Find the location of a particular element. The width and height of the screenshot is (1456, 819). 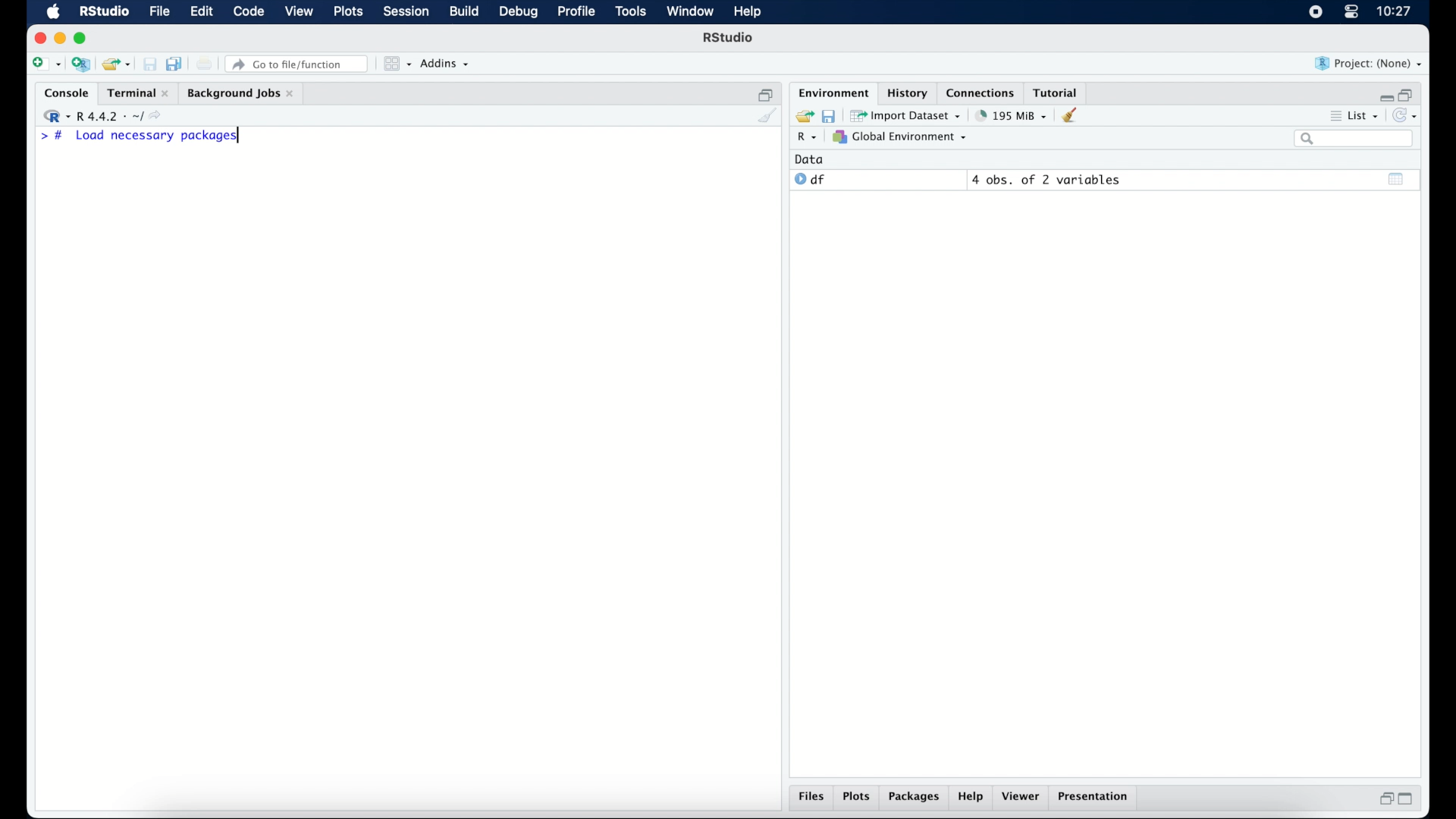

edit is located at coordinates (200, 12).